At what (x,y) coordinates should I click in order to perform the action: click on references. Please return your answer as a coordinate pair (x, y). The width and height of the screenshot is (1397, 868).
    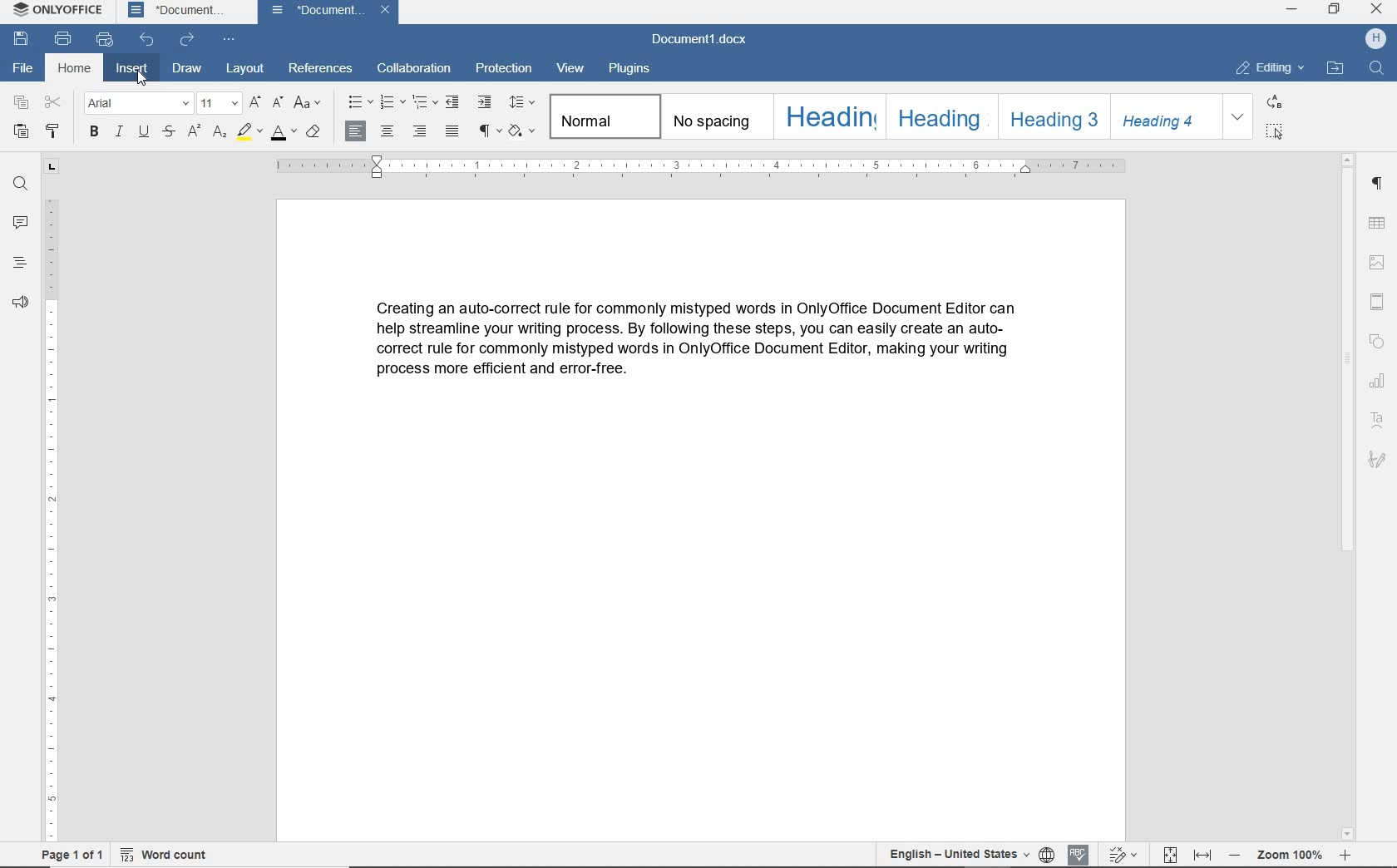
    Looking at the image, I should click on (318, 68).